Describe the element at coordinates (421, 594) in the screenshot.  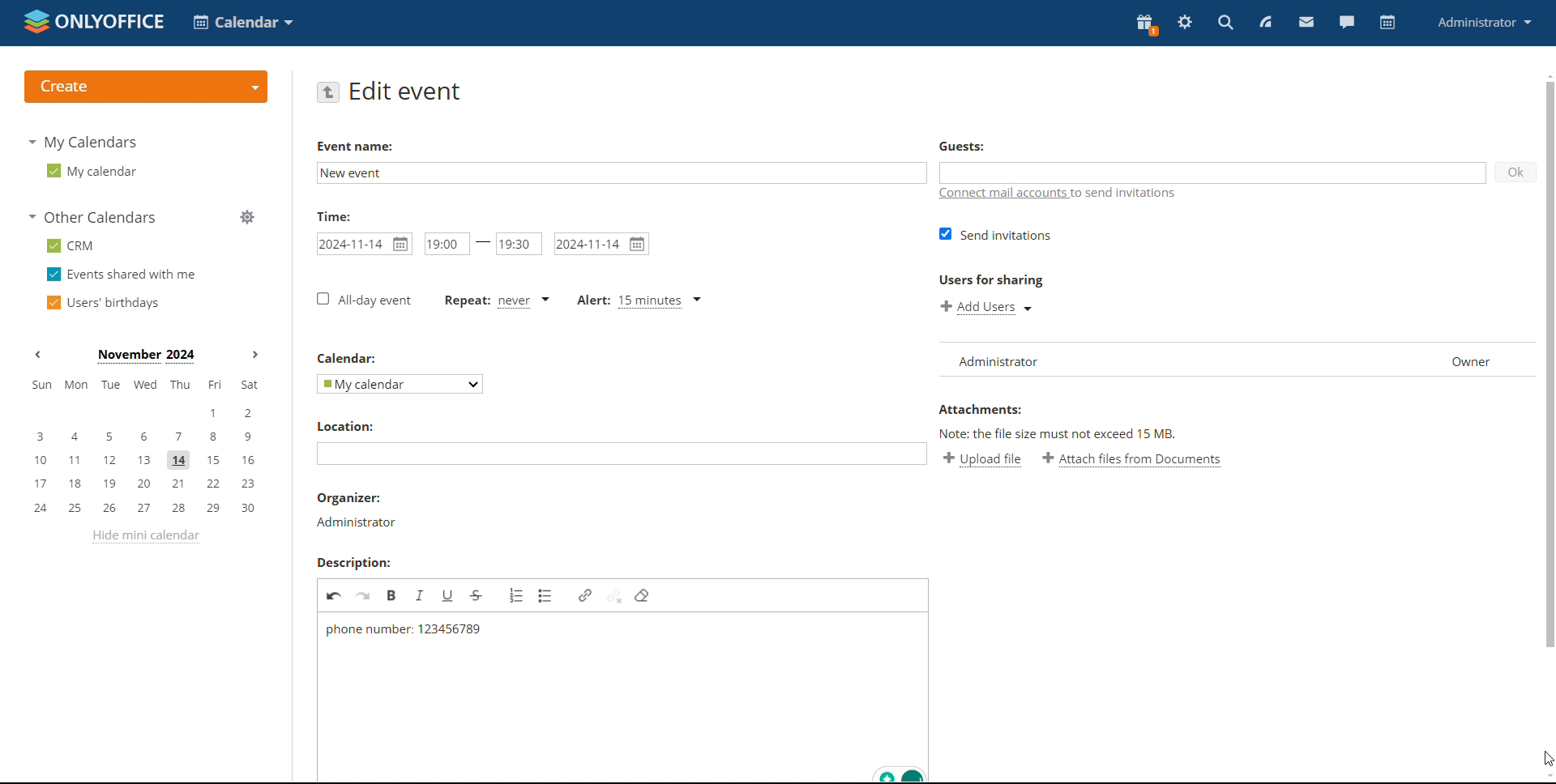
I see `italic` at that location.